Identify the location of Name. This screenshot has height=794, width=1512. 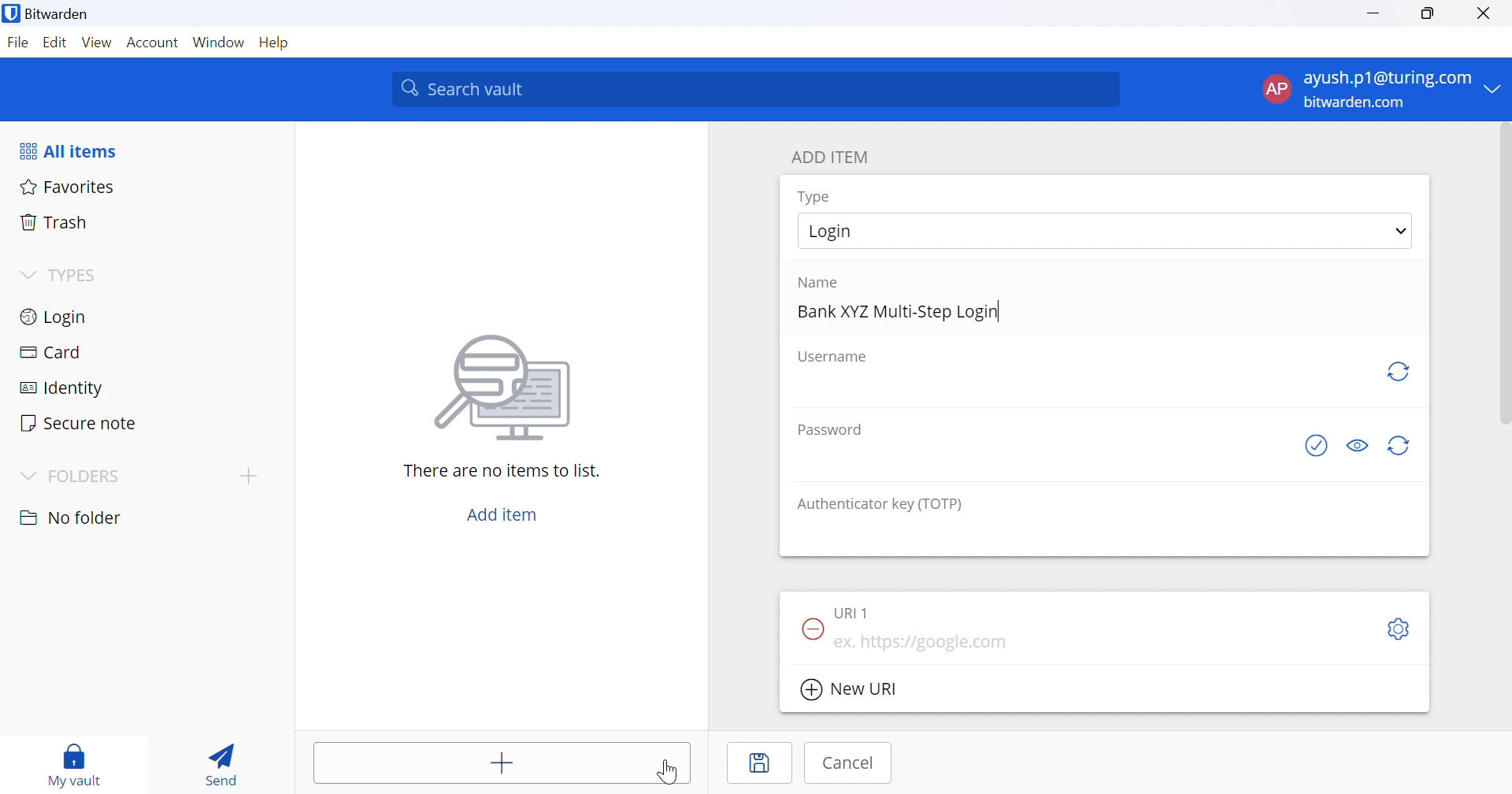
(821, 283).